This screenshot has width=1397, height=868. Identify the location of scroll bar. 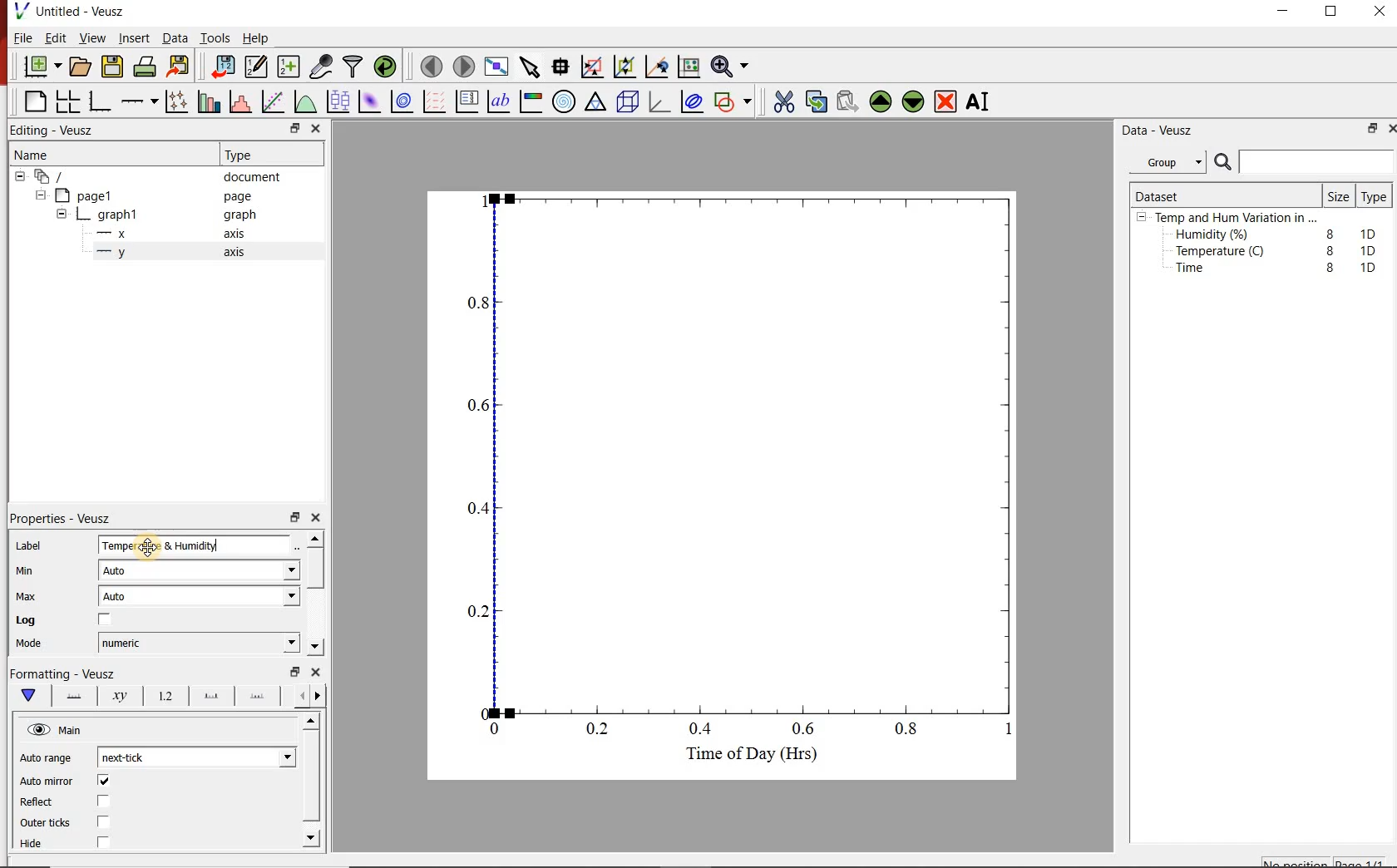
(311, 778).